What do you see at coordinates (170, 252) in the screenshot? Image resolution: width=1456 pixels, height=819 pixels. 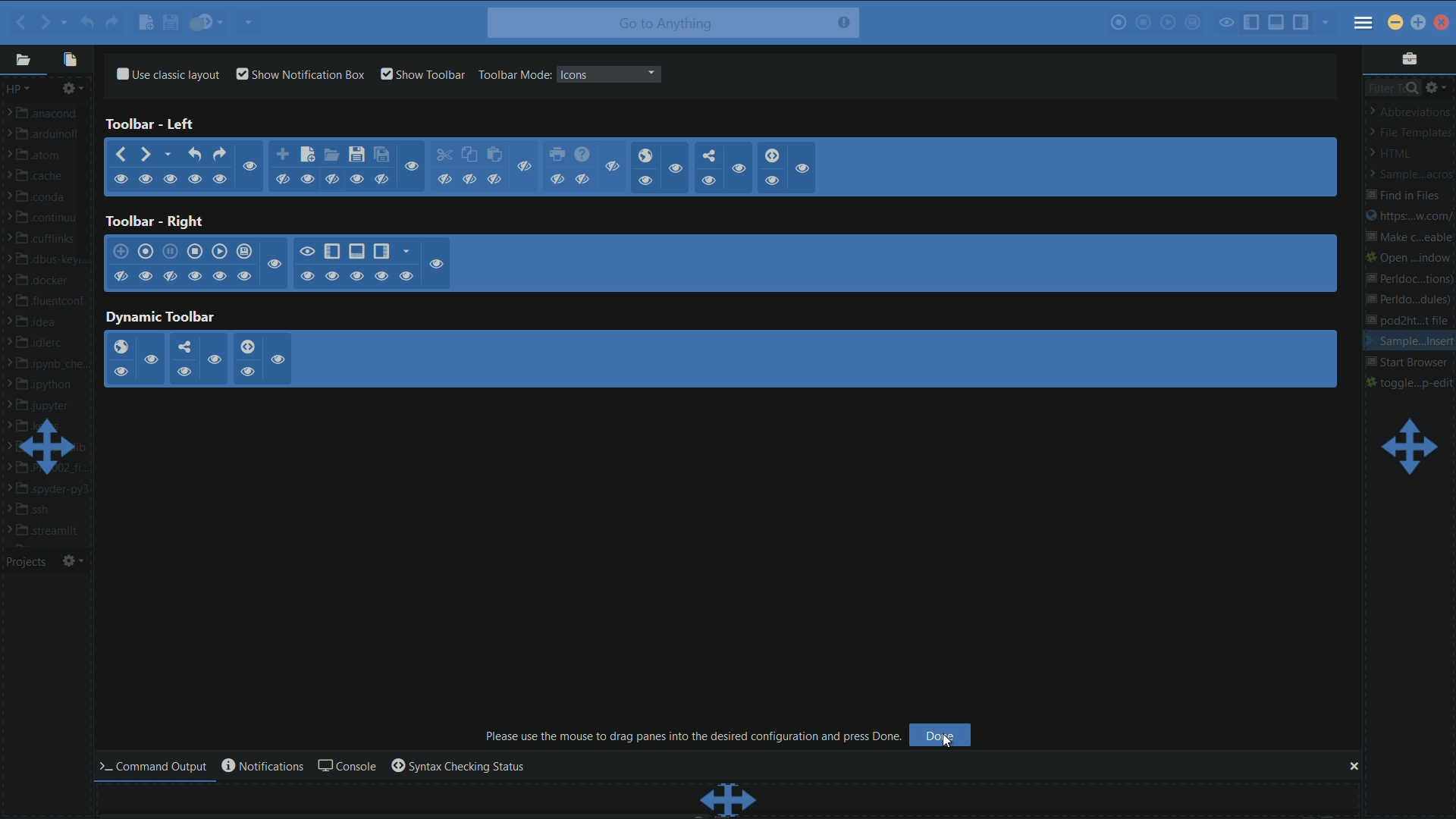 I see `pause macro` at bounding box center [170, 252].